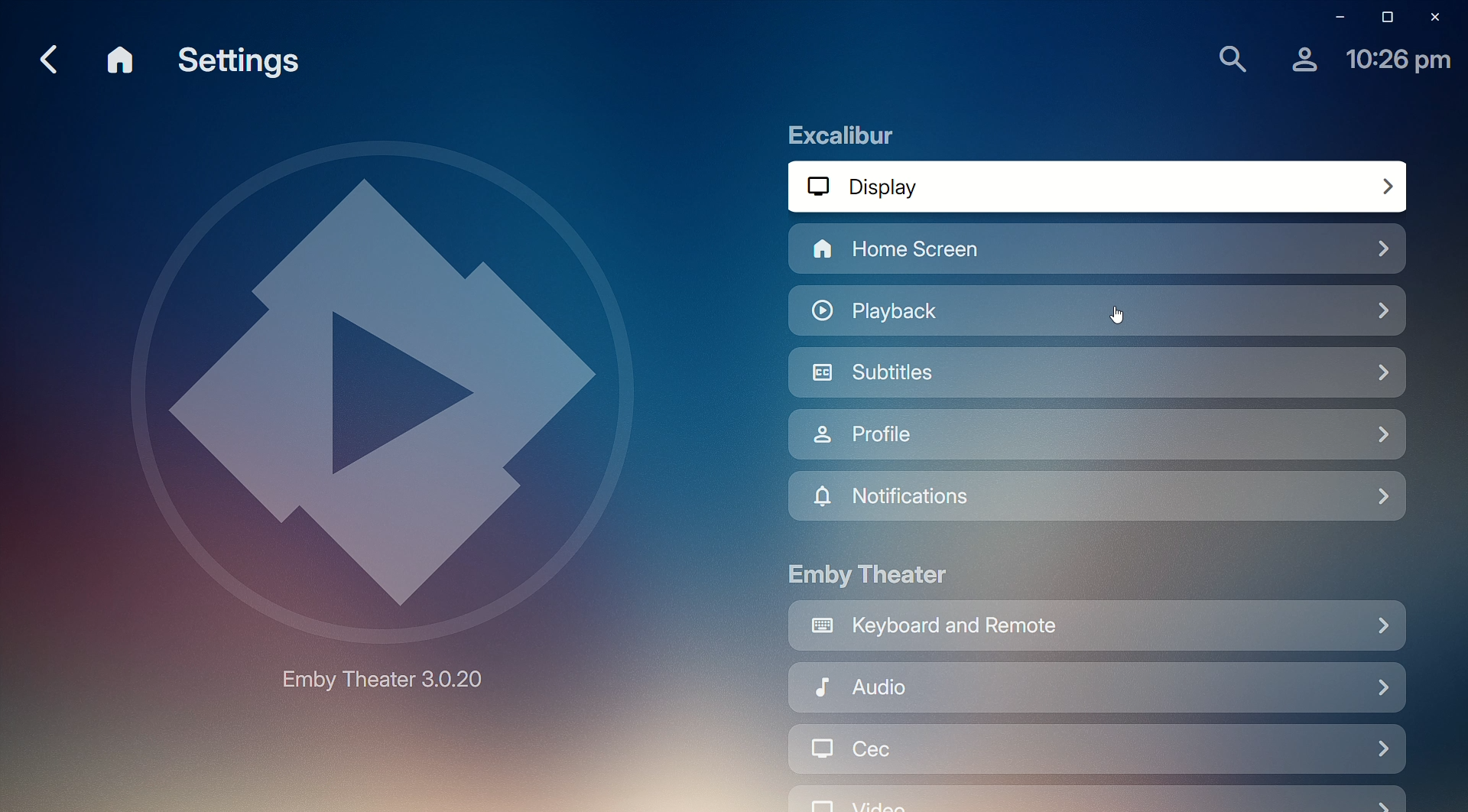 The image size is (1468, 812). Describe the element at coordinates (1438, 18) in the screenshot. I see `Close` at that location.